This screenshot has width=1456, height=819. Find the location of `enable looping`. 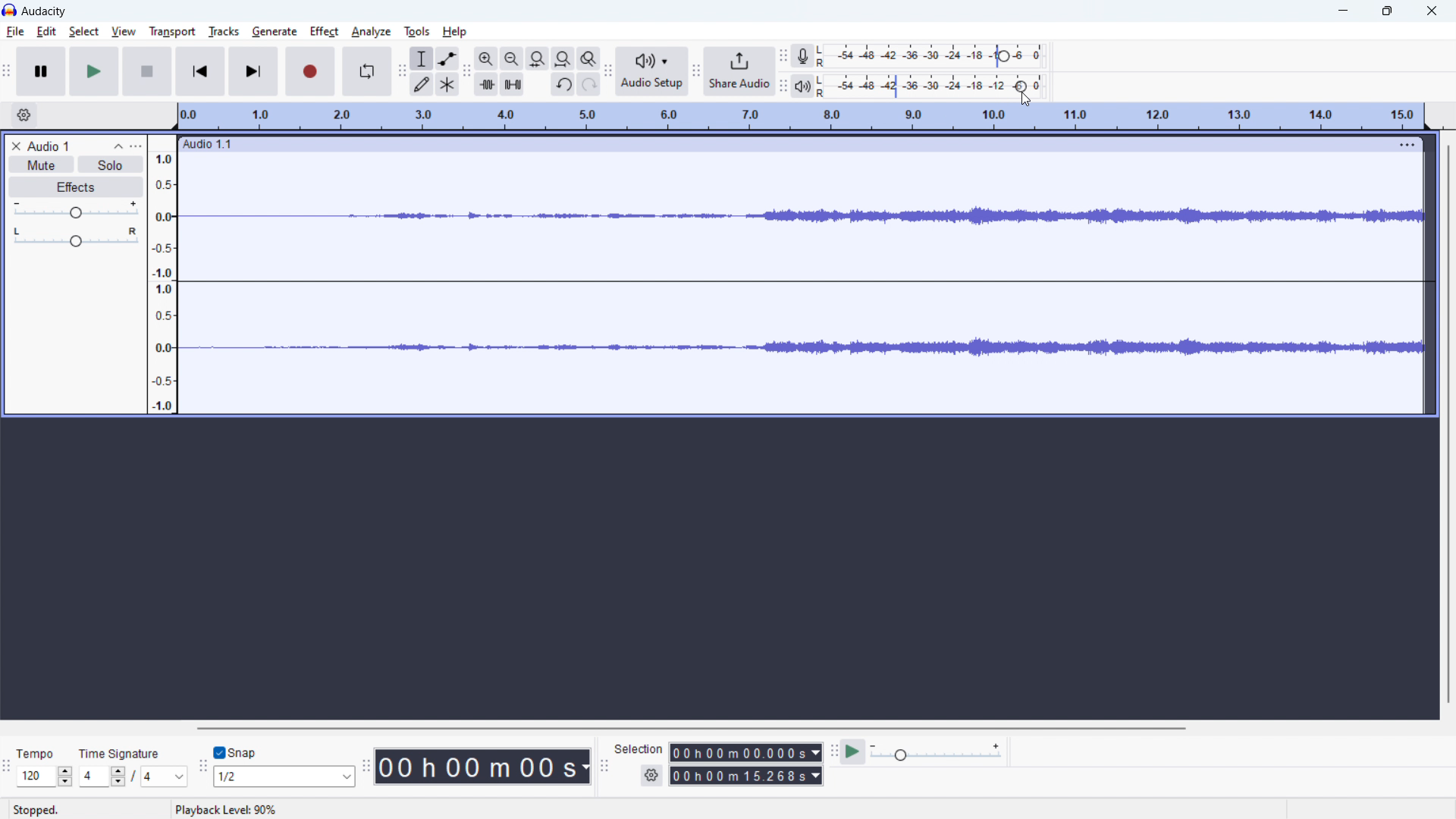

enable looping is located at coordinates (366, 72).